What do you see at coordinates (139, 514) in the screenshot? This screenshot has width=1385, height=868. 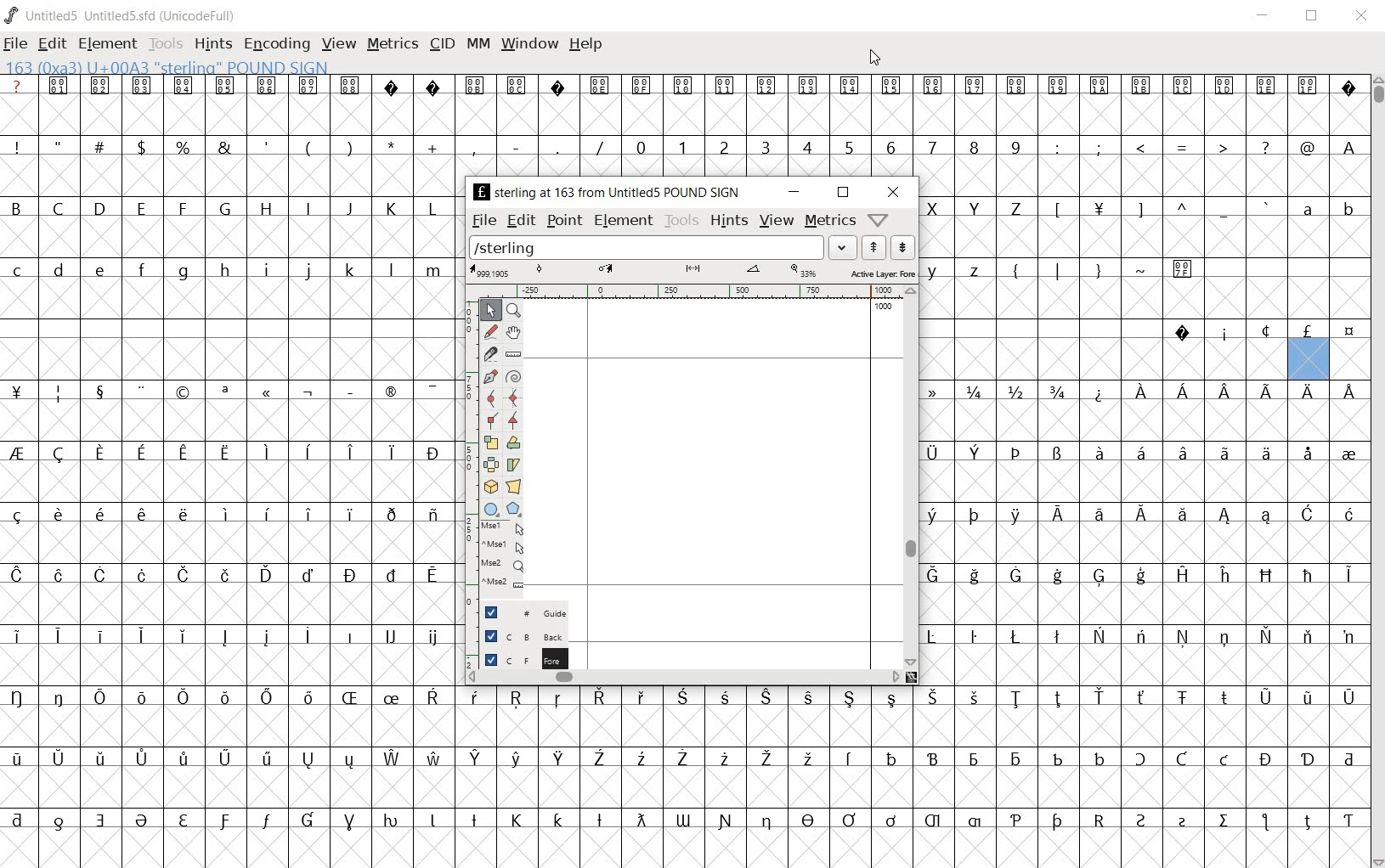 I see `Symbol` at bounding box center [139, 514].